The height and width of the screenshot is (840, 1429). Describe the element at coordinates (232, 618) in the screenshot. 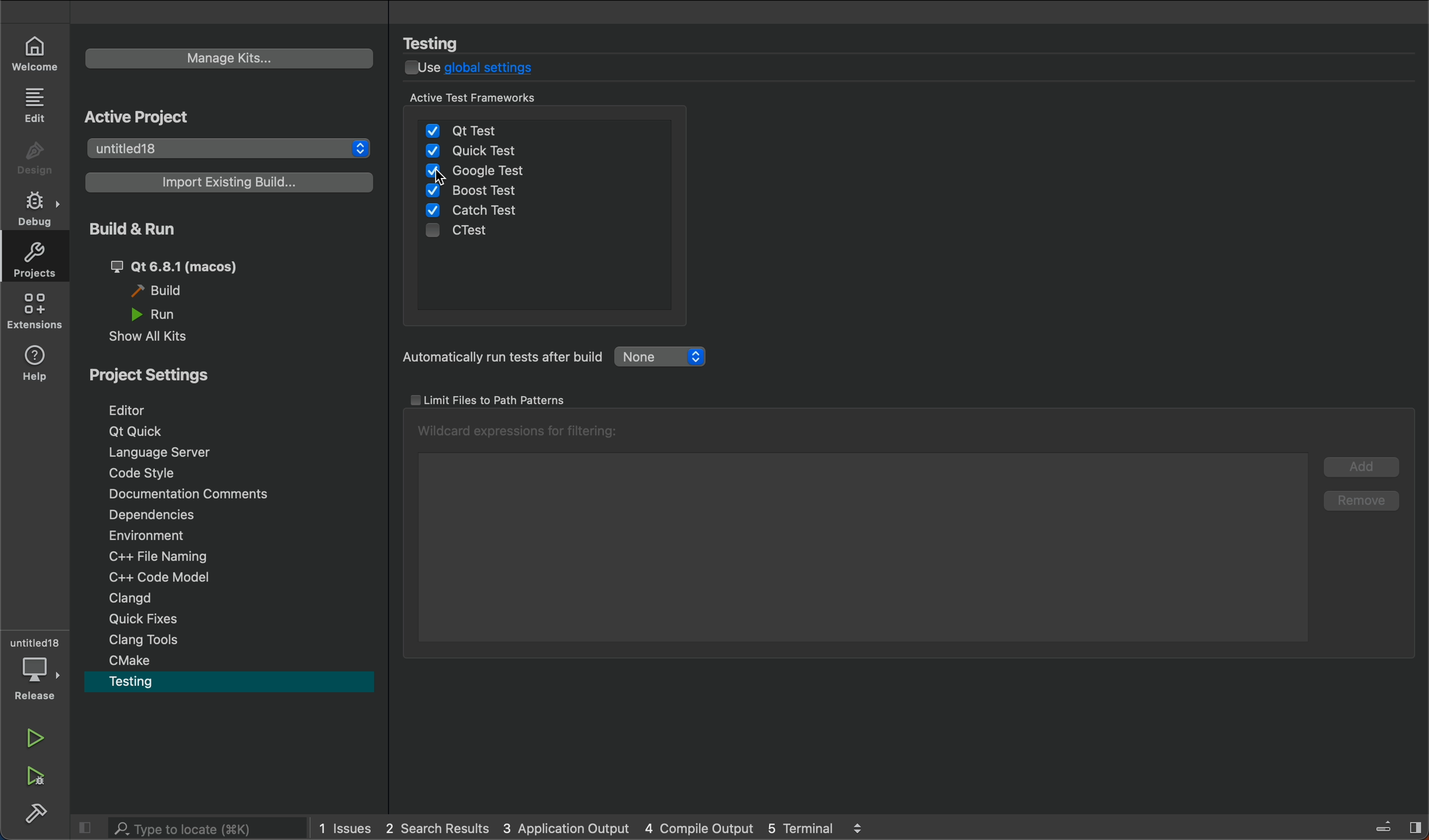

I see `quick fixes` at that location.